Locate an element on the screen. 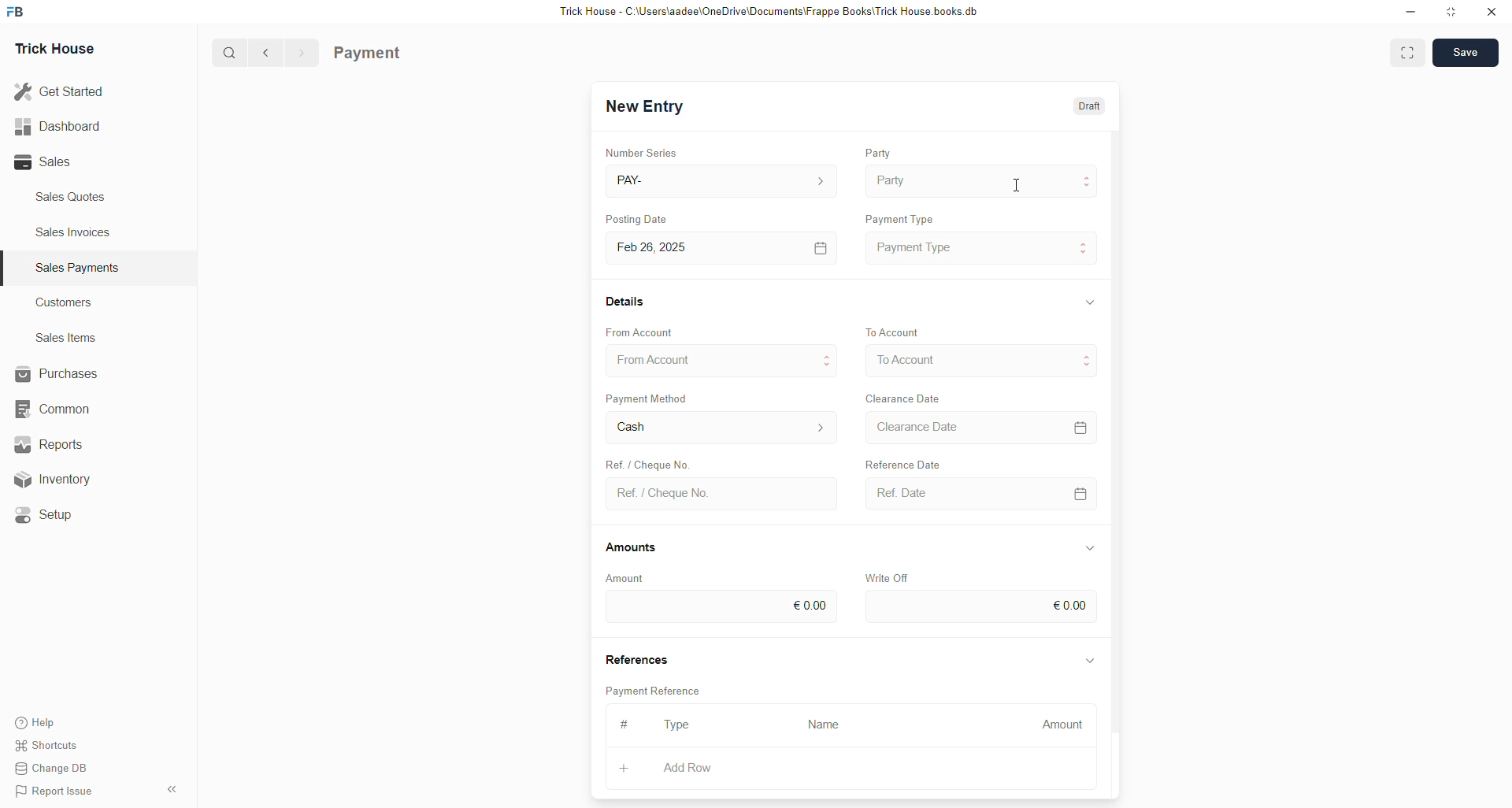 The width and height of the screenshot is (1512, 808). Forward is located at coordinates (302, 54).